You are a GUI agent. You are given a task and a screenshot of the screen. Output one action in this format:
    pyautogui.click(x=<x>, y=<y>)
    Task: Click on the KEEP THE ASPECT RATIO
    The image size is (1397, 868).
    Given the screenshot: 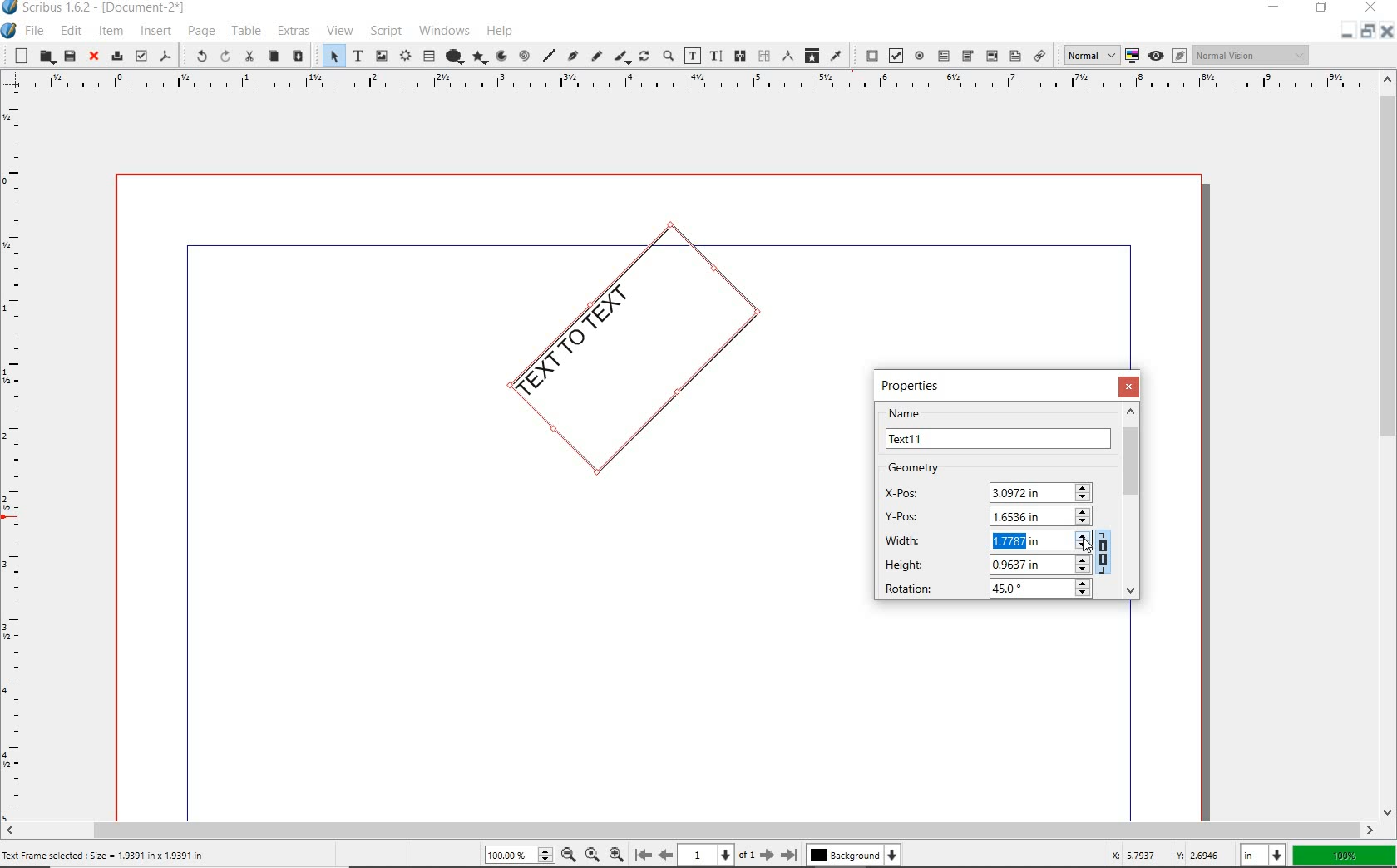 What is the action you would take?
    pyautogui.click(x=1106, y=554)
    